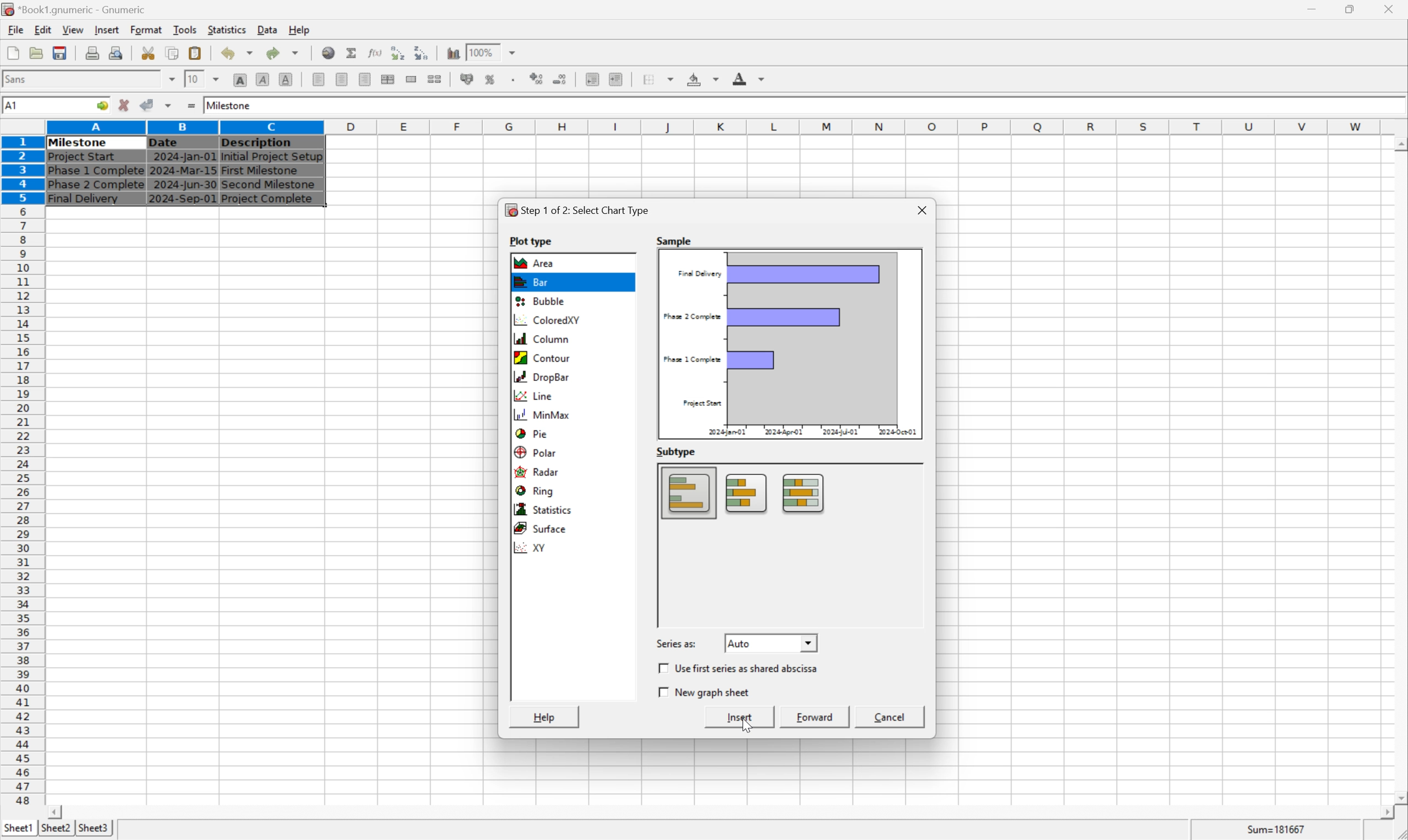 This screenshot has width=1408, height=840. What do you see at coordinates (1390, 7) in the screenshot?
I see `close` at bounding box center [1390, 7].